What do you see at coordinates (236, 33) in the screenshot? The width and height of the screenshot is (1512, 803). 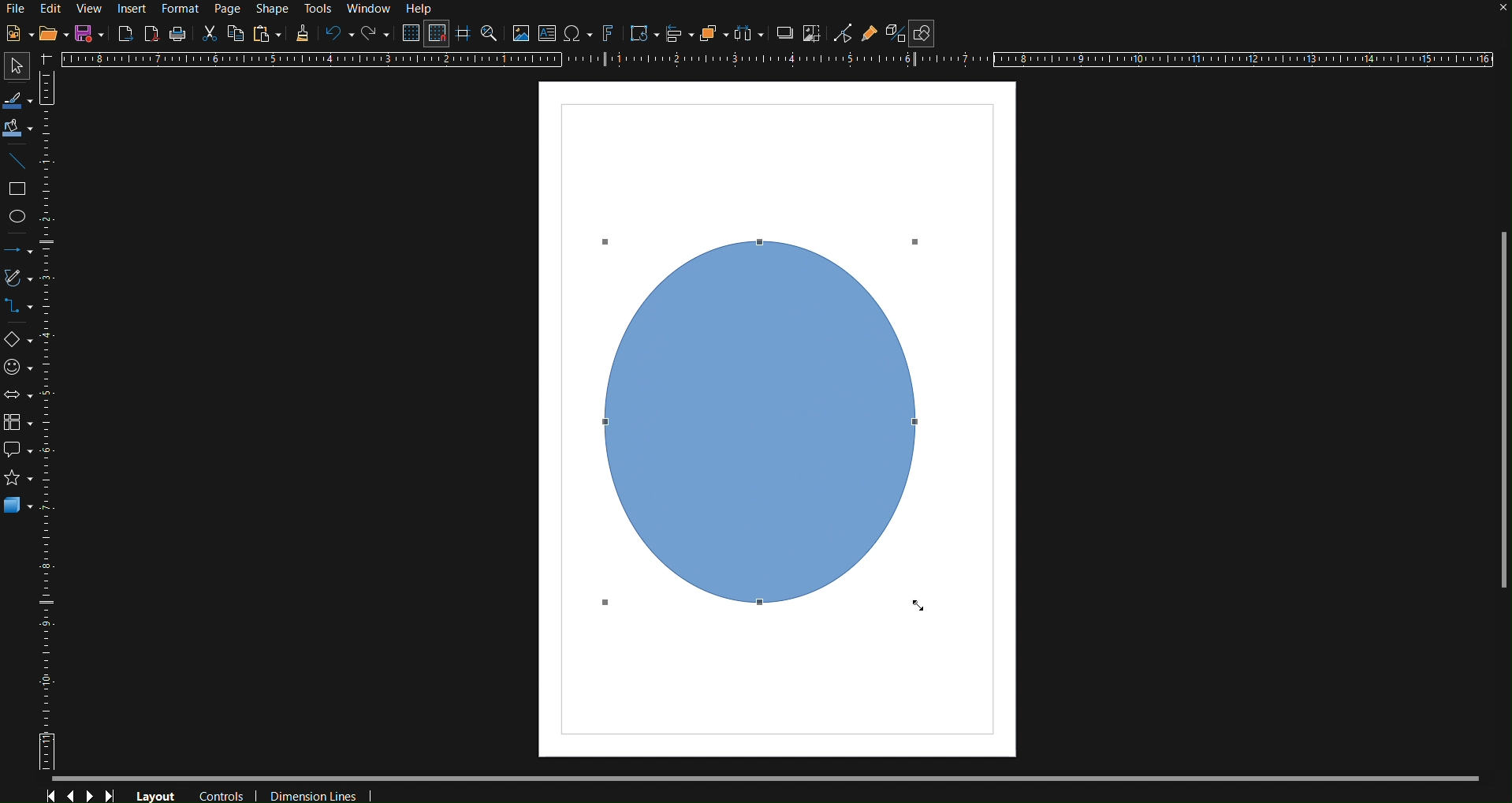 I see `Copy` at bounding box center [236, 33].